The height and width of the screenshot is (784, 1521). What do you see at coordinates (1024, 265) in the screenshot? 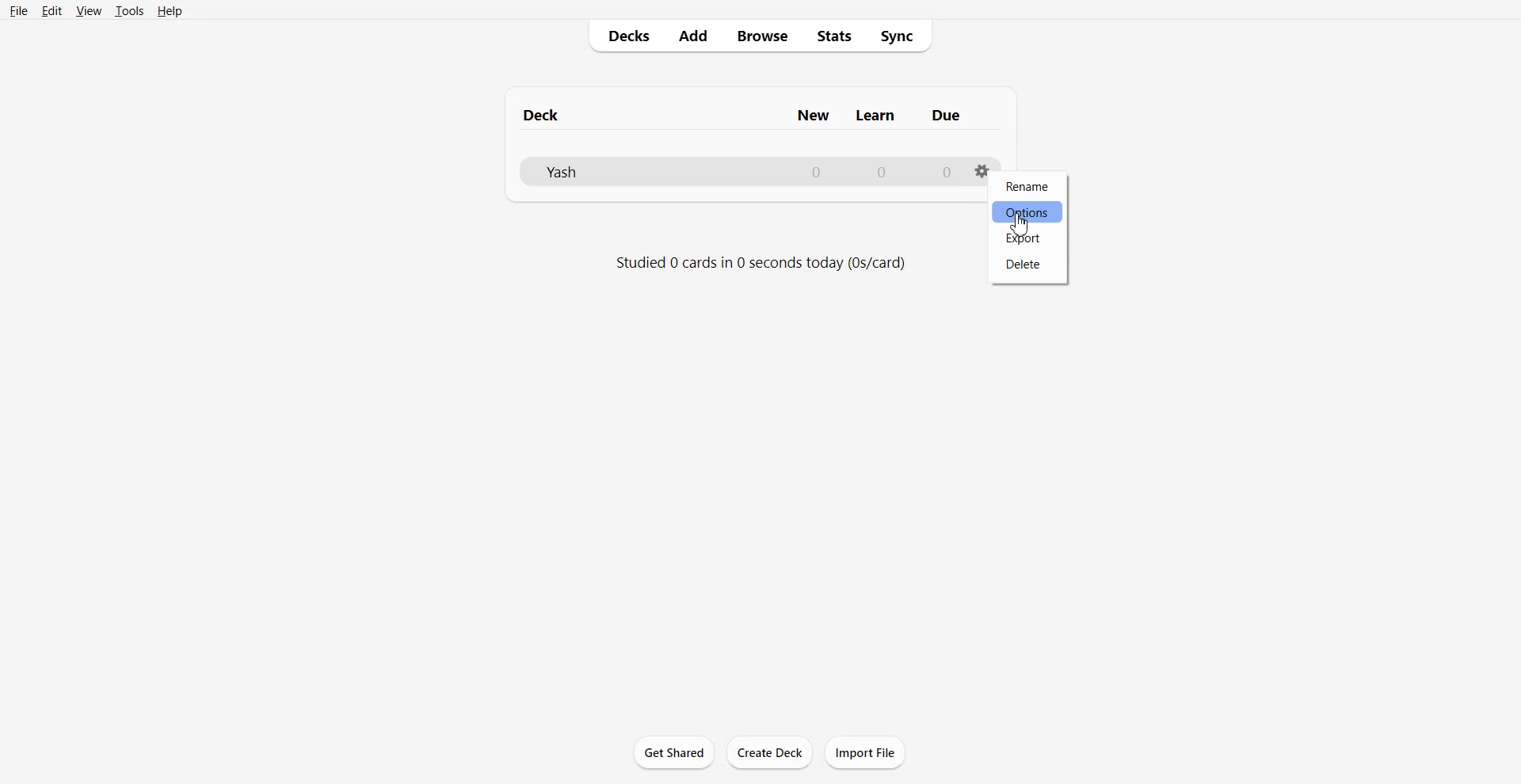
I see `Delete` at bounding box center [1024, 265].